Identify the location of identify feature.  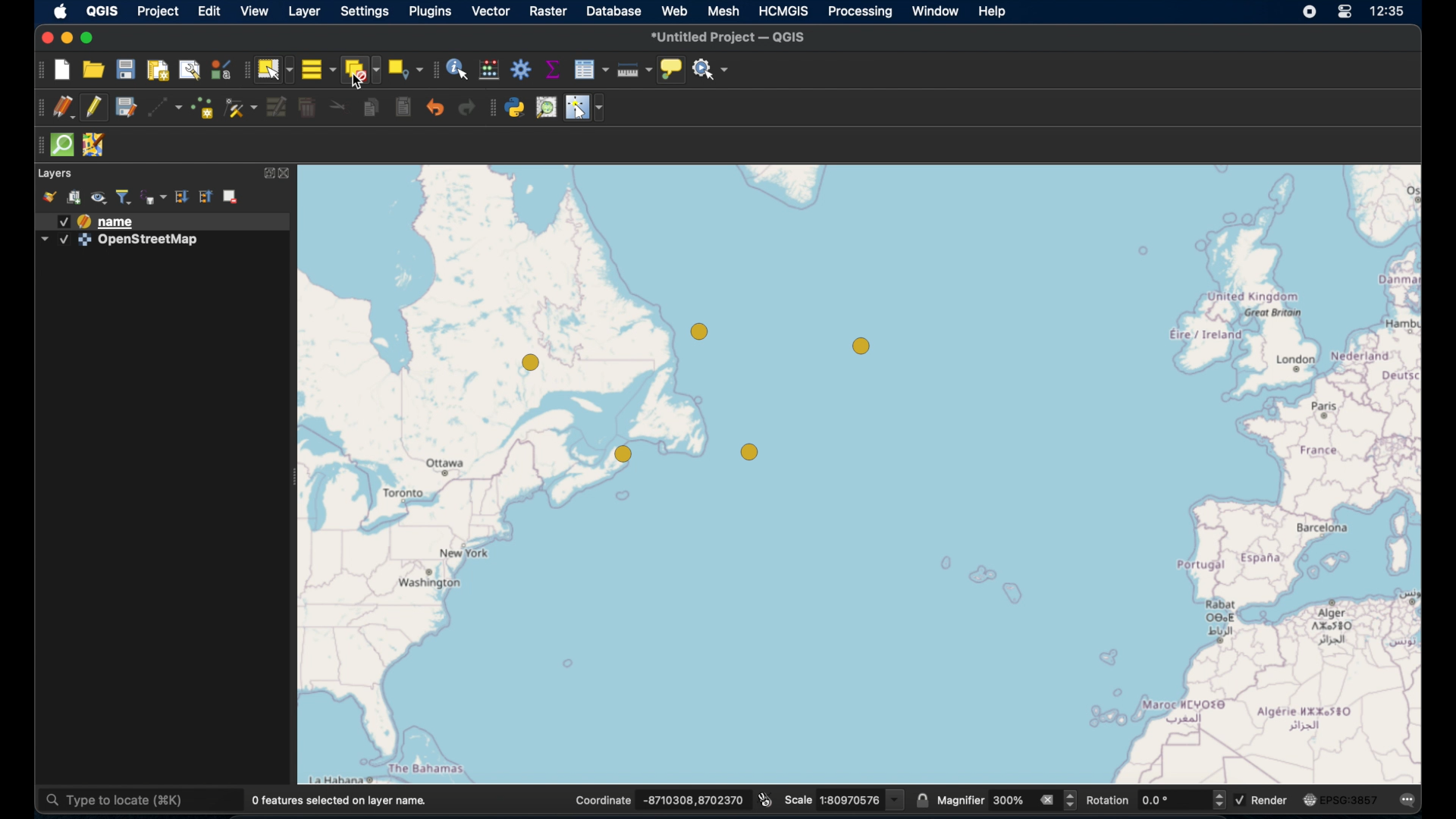
(457, 70).